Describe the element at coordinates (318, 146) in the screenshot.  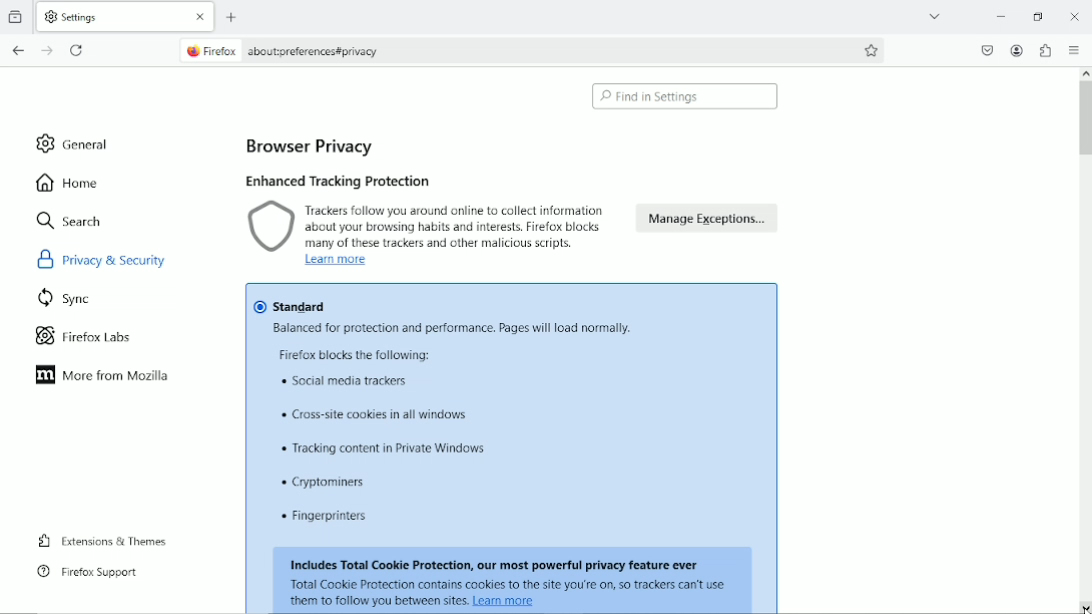
I see `Browser privacy` at that location.